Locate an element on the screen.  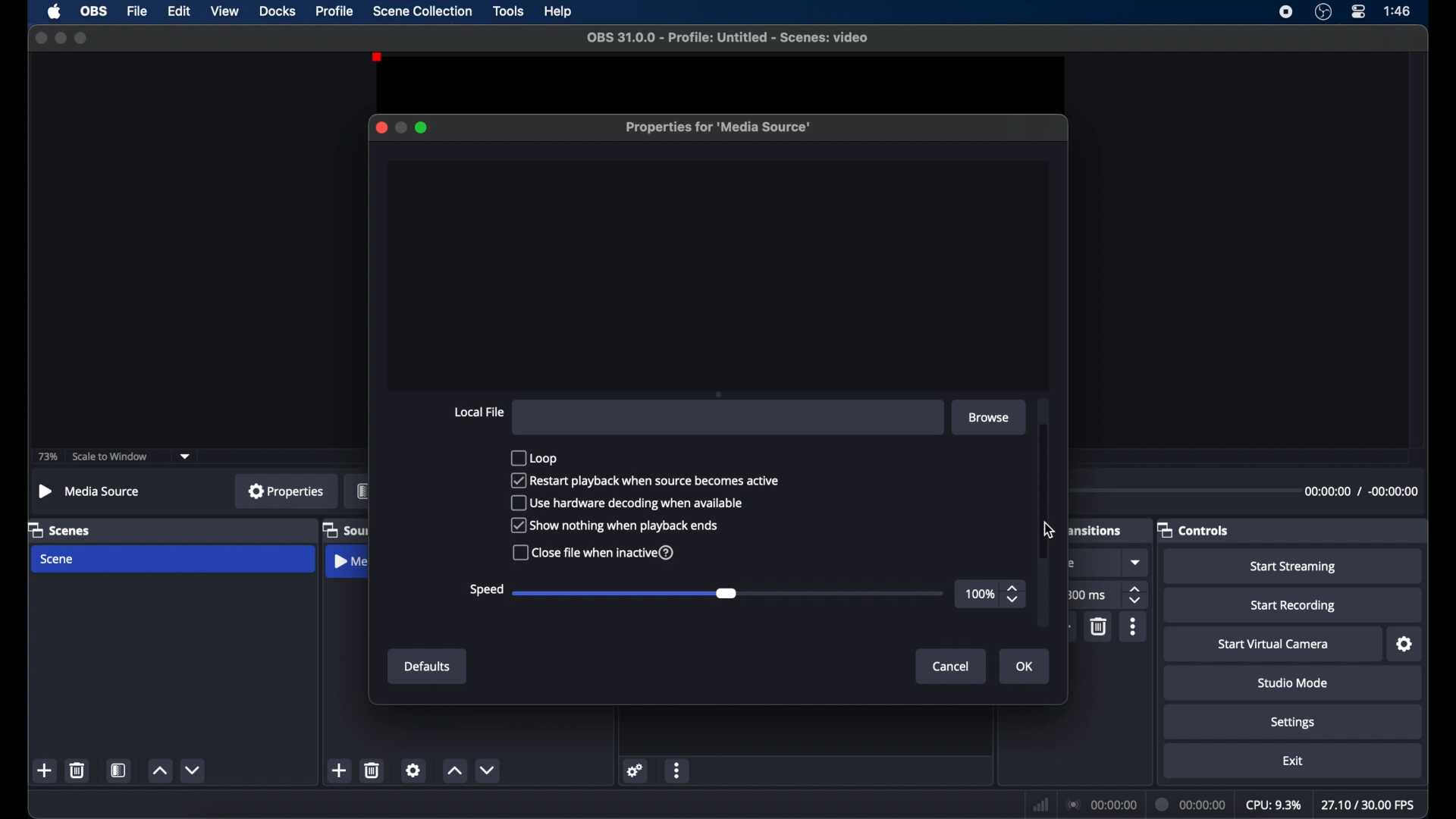
time is located at coordinates (1398, 10).